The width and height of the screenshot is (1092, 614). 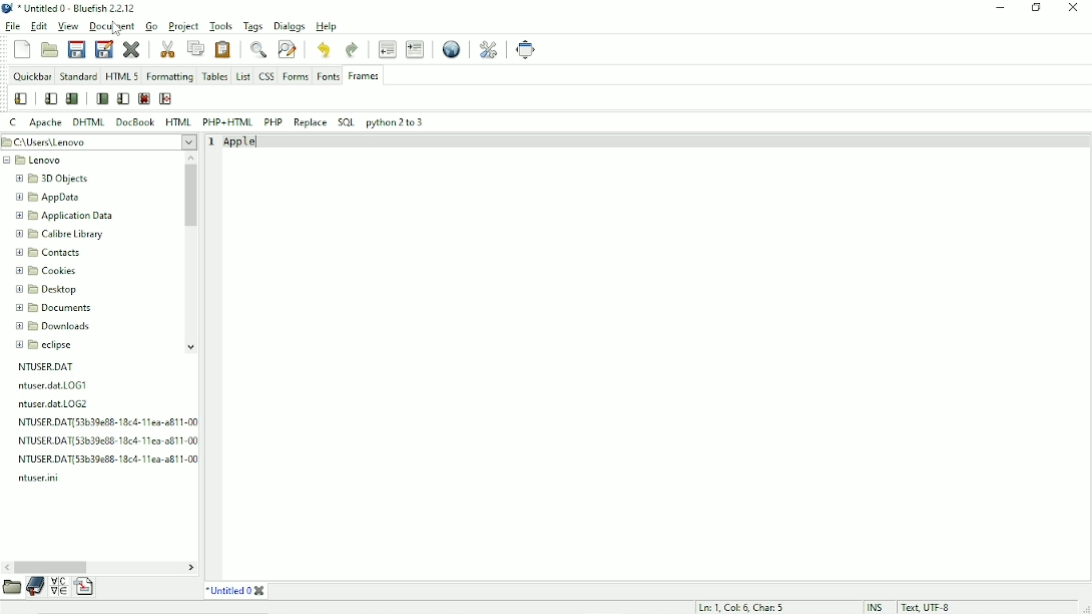 What do you see at coordinates (365, 76) in the screenshot?
I see `Frames` at bounding box center [365, 76].